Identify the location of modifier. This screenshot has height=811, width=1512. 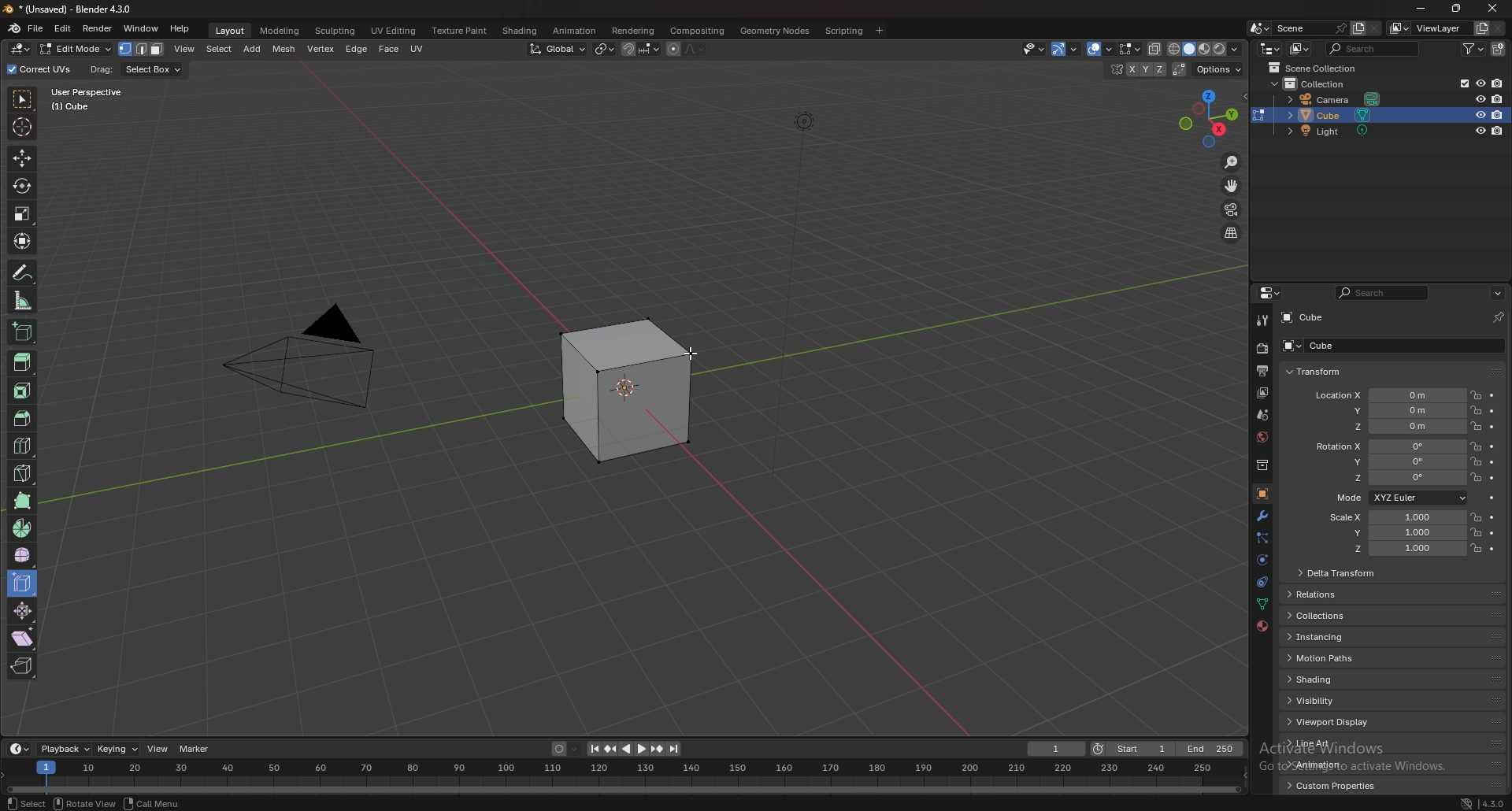
(1264, 515).